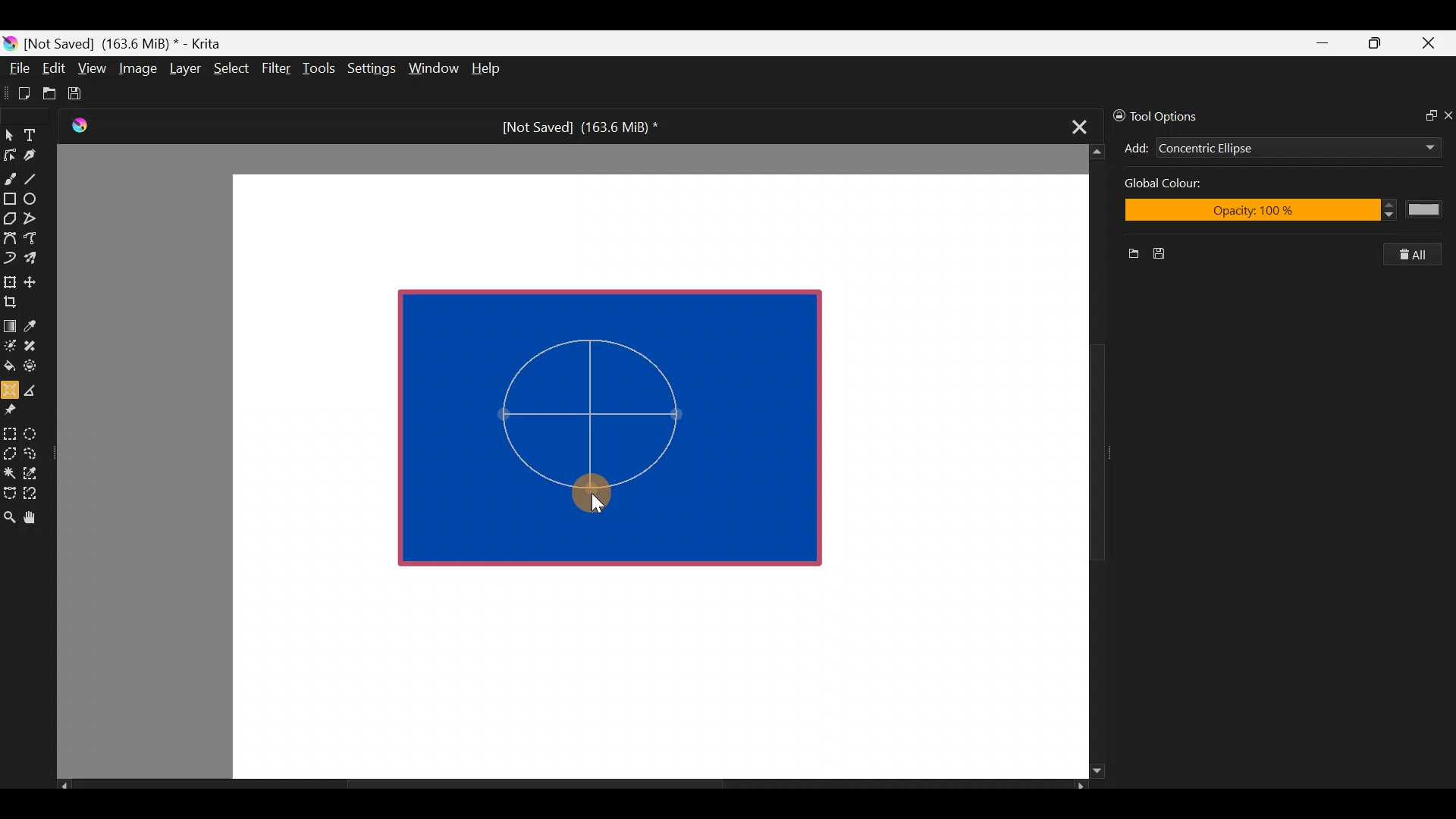 The image size is (1456, 819). What do you see at coordinates (1420, 254) in the screenshot?
I see `Clear all` at bounding box center [1420, 254].